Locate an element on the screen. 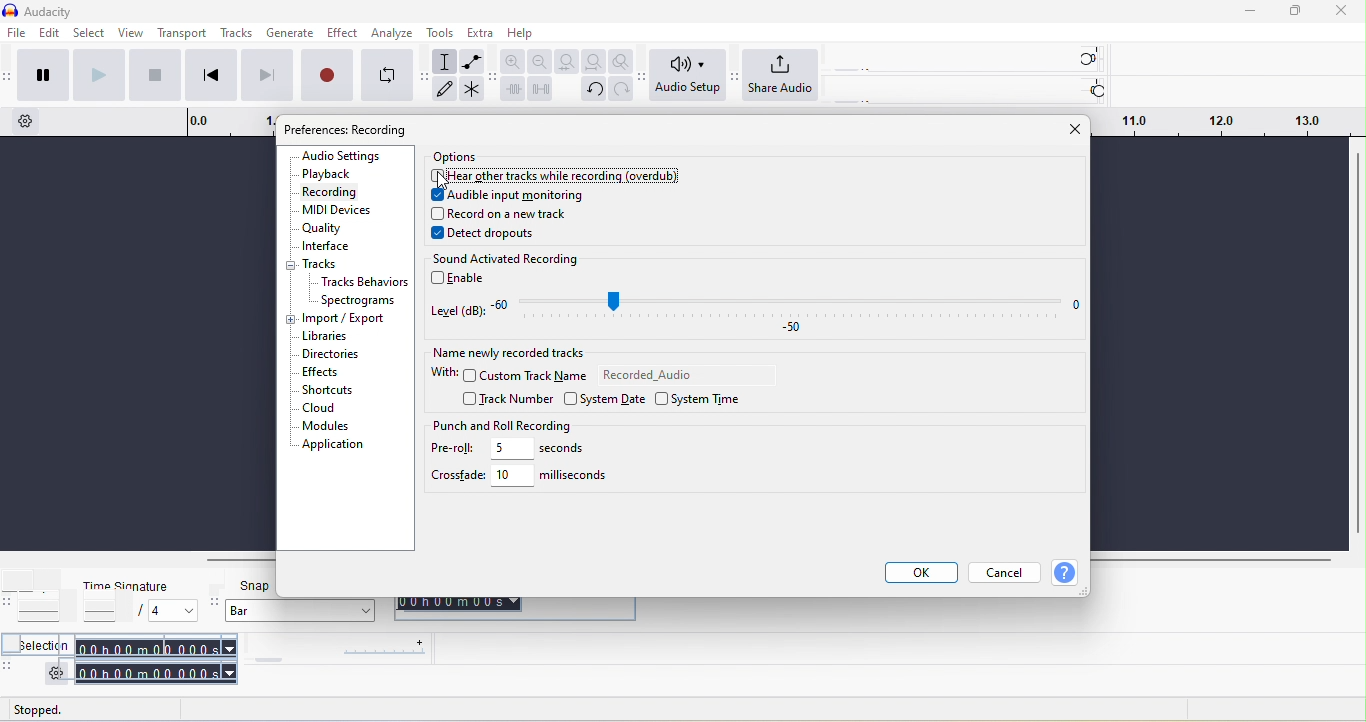 The height and width of the screenshot is (722, 1366). directories is located at coordinates (339, 355).